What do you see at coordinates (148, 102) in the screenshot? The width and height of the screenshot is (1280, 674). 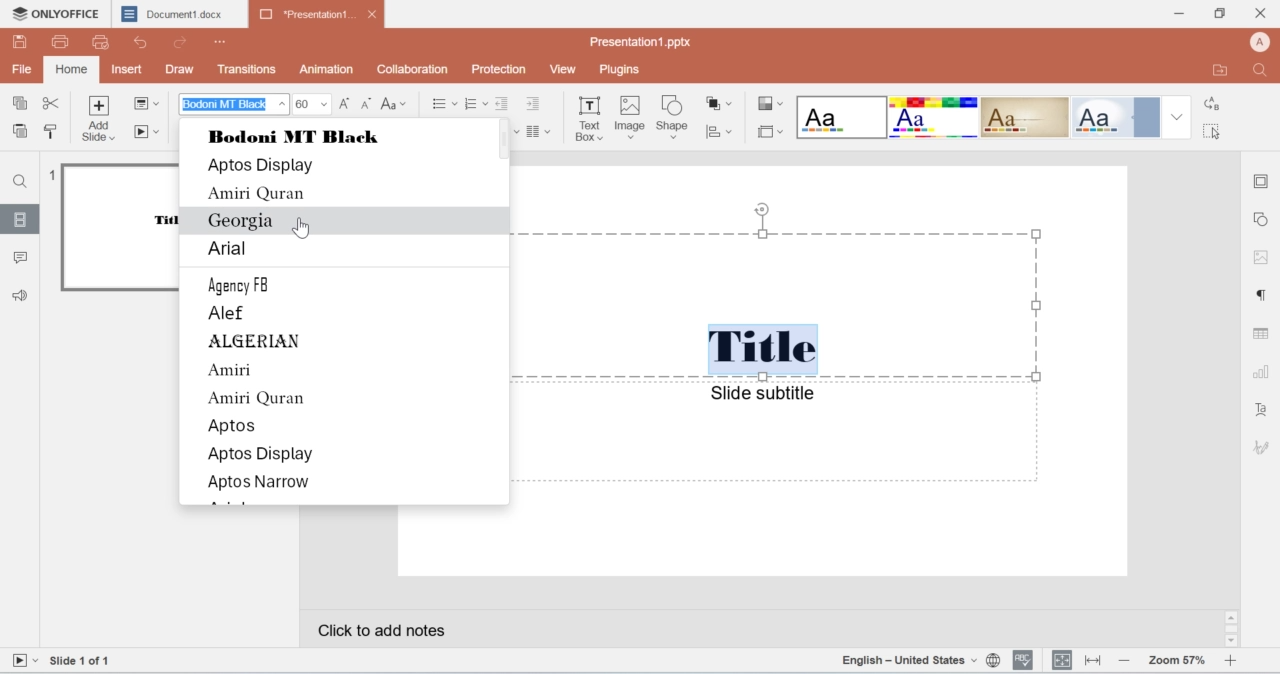 I see `file` at bounding box center [148, 102].